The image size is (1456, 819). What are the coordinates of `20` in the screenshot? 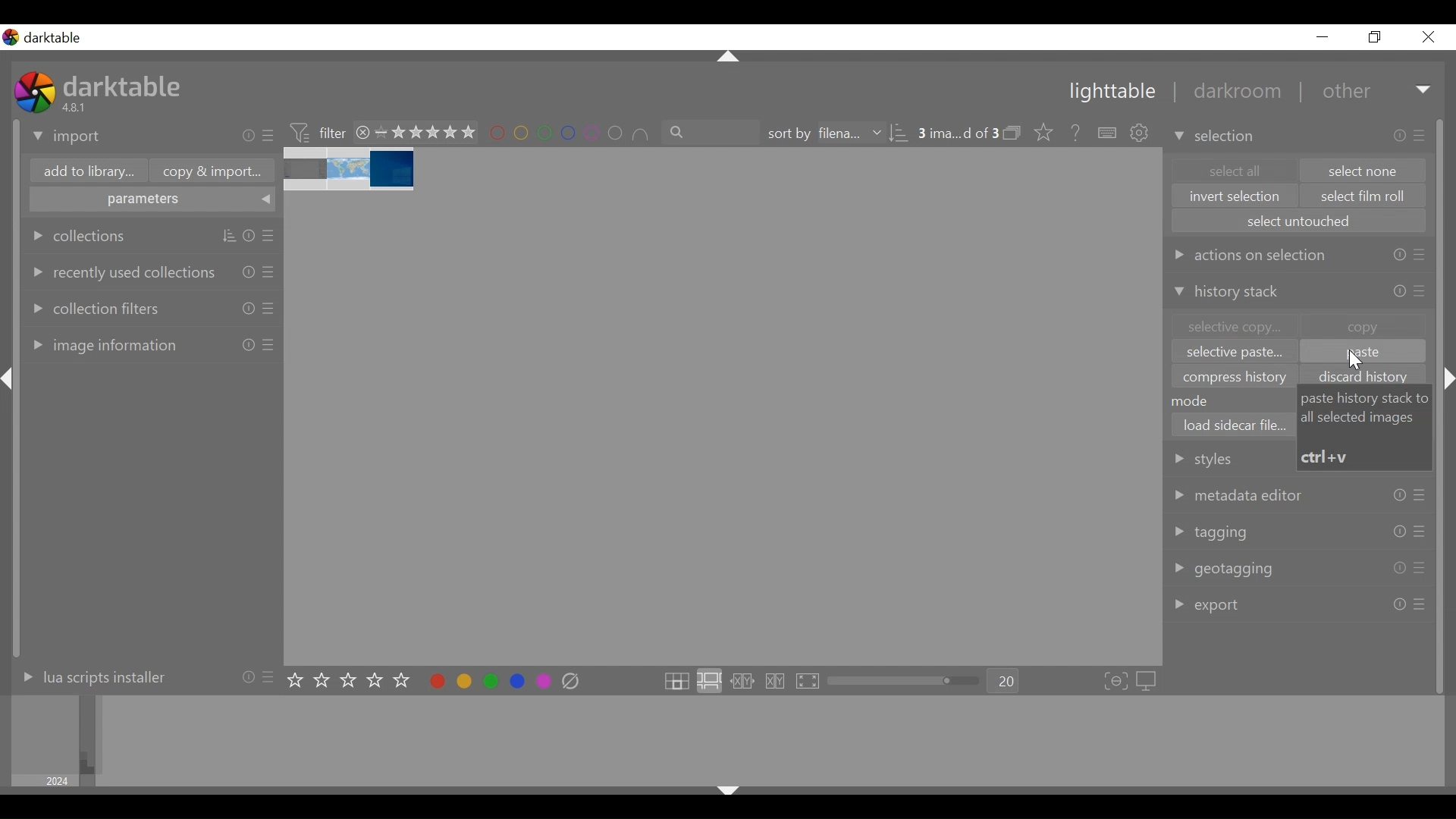 It's located at (1004, 682).